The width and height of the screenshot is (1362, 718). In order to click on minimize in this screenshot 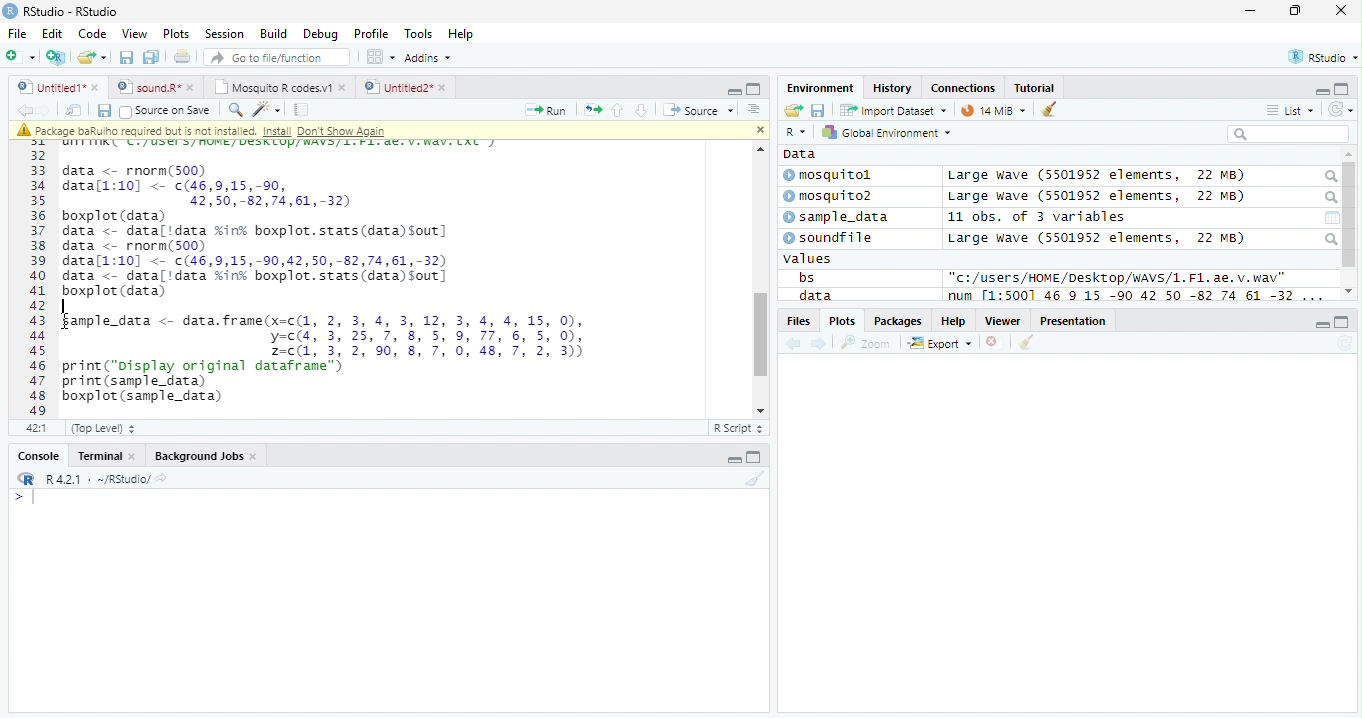, I will do `click(732, 456)`.